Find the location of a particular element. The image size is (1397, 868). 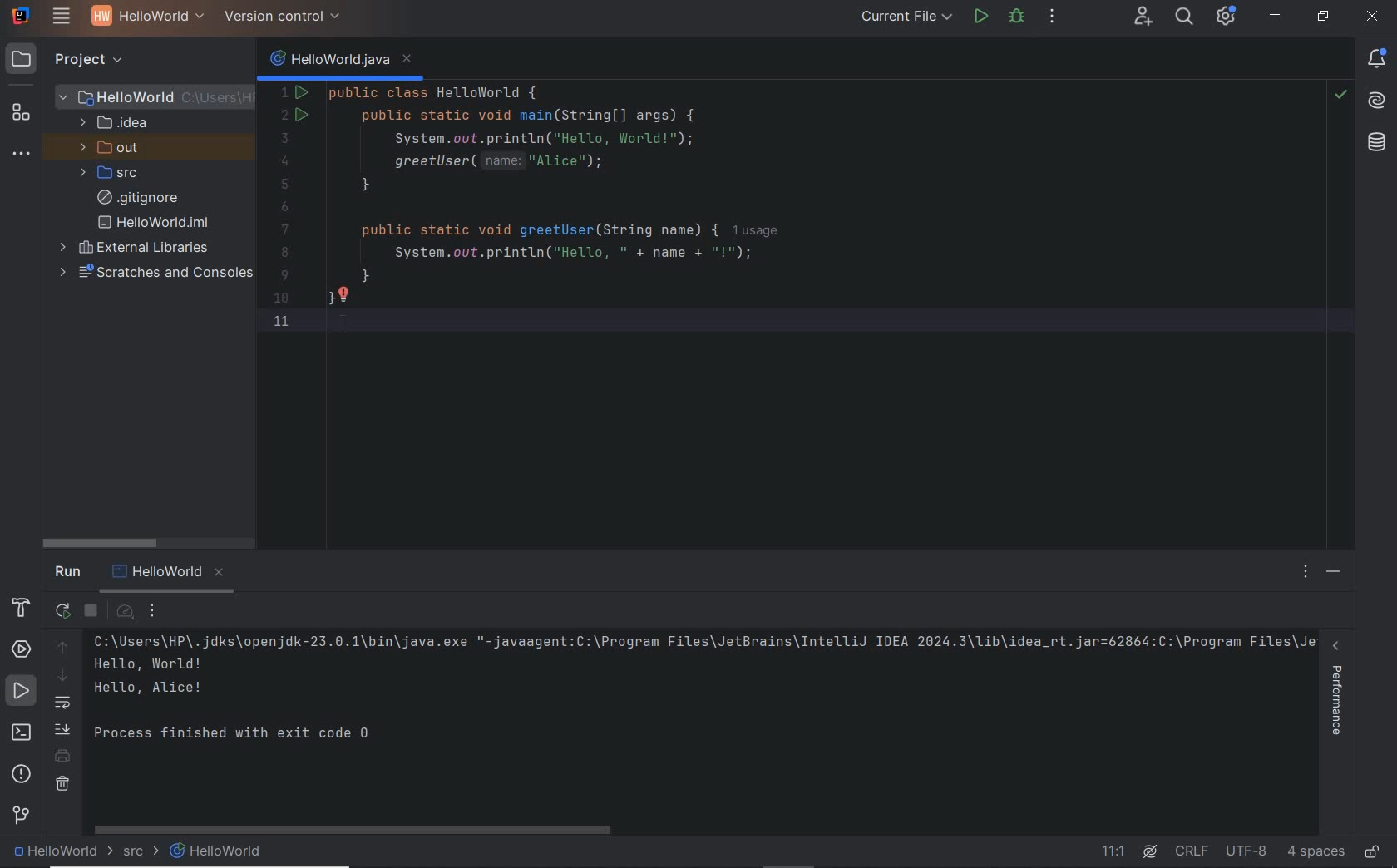

profile the process is located at coordinates (126, 616).